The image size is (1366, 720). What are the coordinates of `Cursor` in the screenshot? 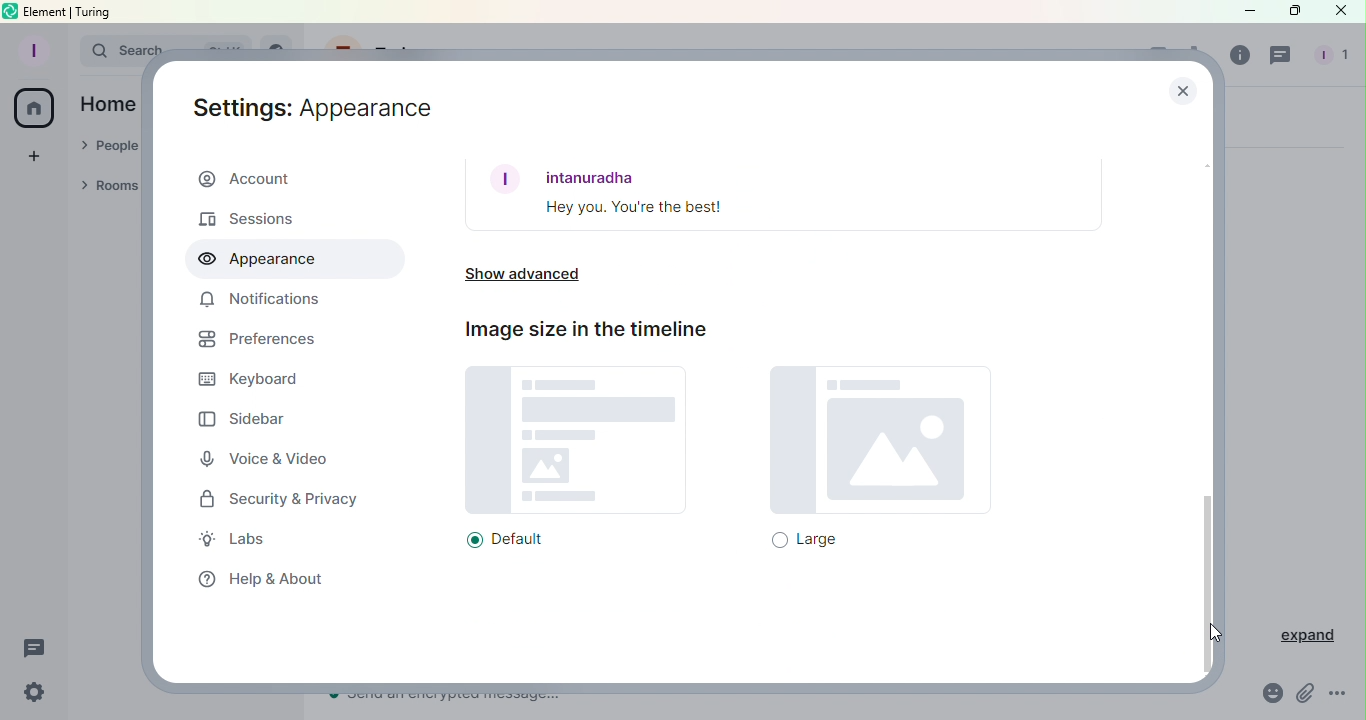 It's located at (1221, 642).